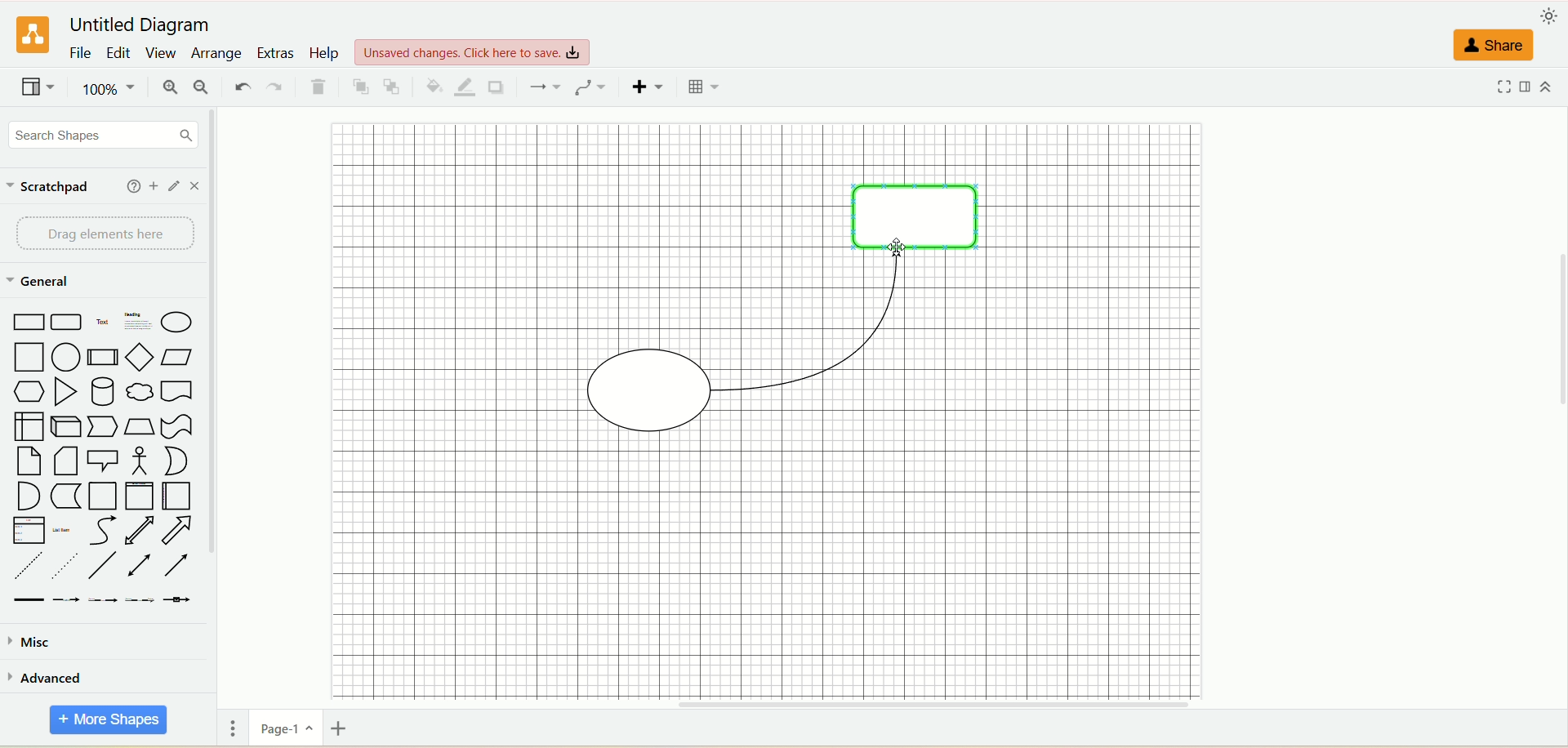 The width and height of the screenshot is (1568, 748). What do you see at coordinates (649, 390) in the screenshot?
I see `shape` at bounding box center [649, 390].